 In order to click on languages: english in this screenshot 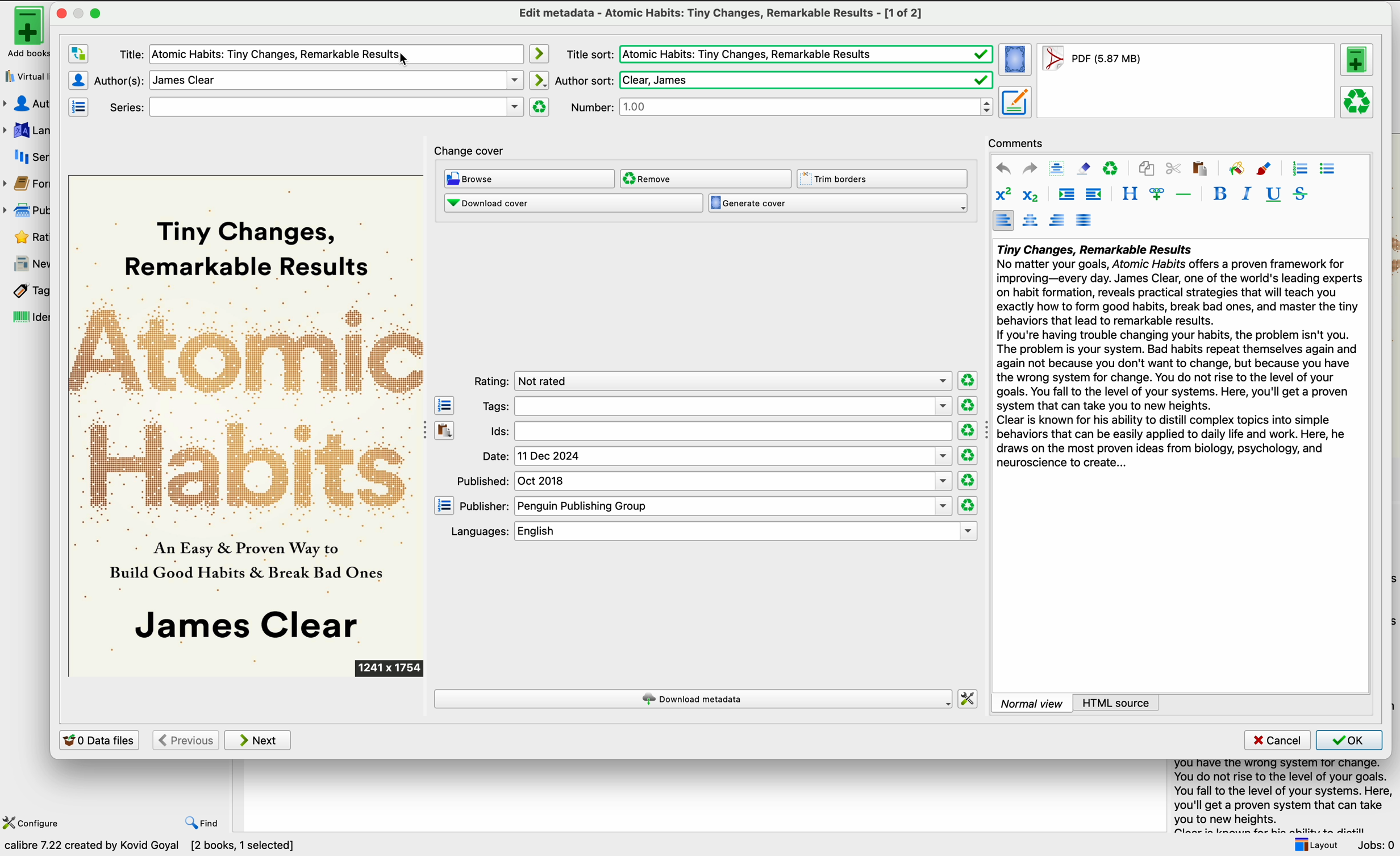, I will do `click(709, 531)`.